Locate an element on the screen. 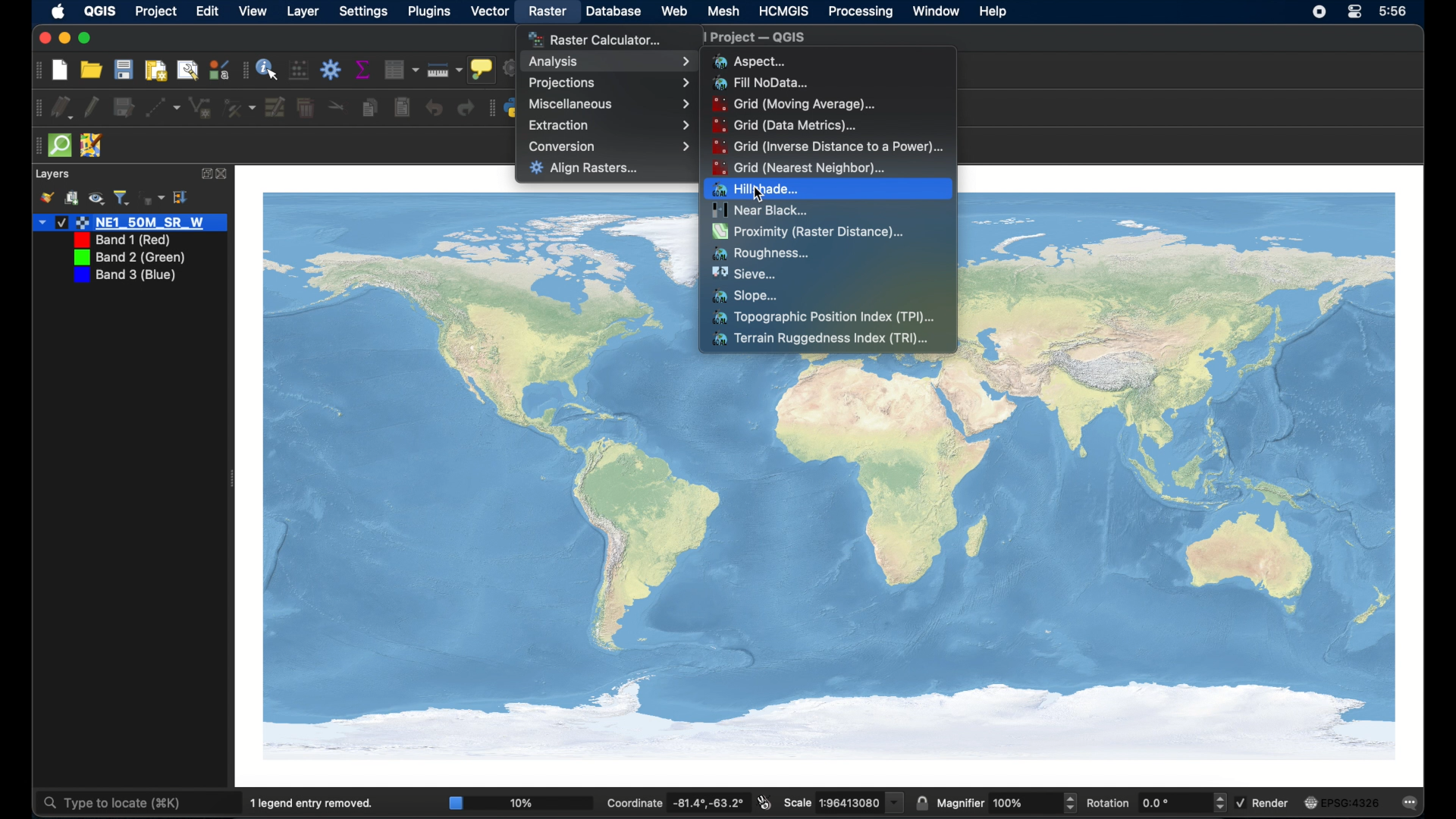 The width and height of the screenshot is (1456, 819). raster is located at coordinates (548, 13).